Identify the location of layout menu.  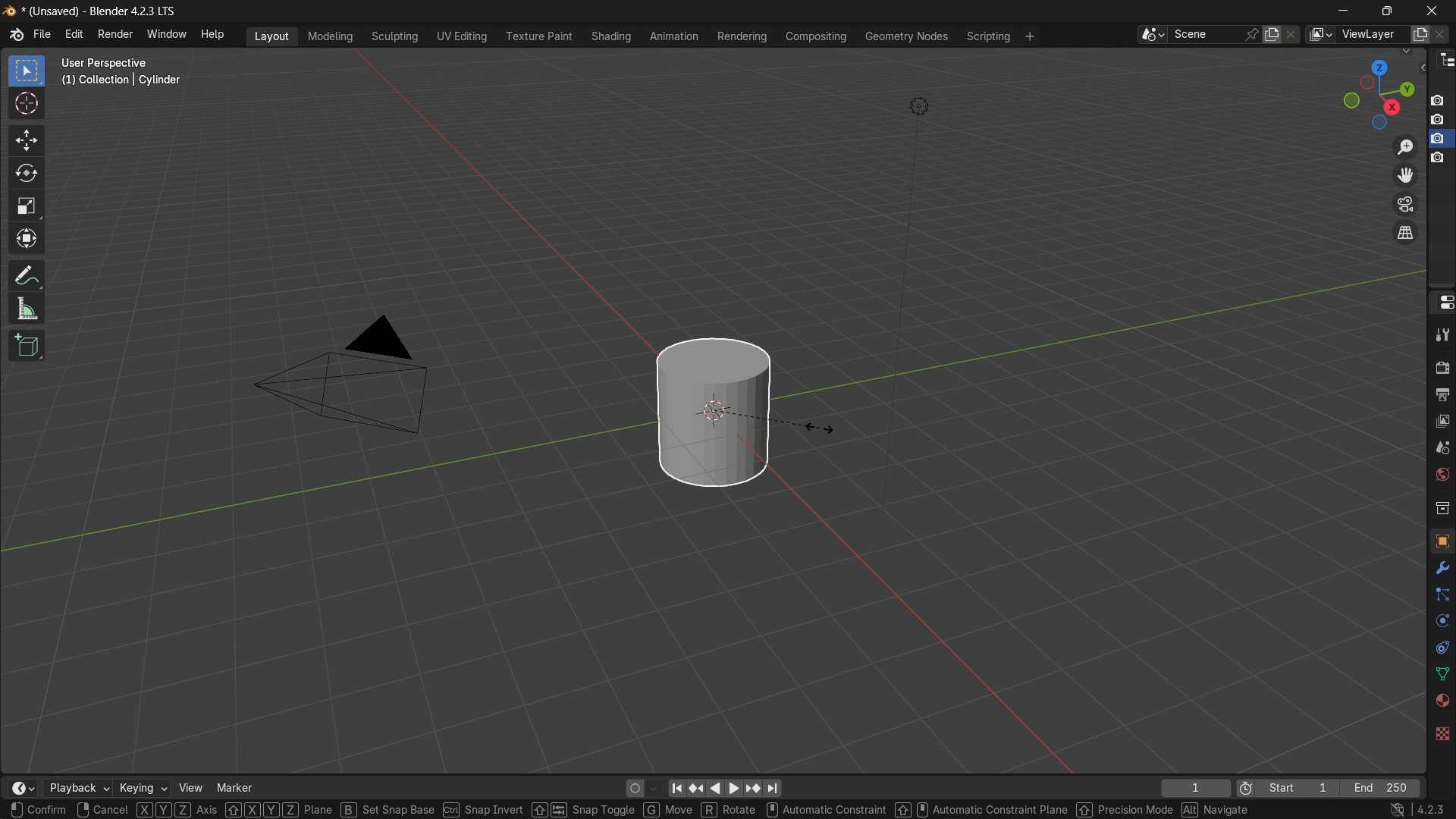
(273, 36).